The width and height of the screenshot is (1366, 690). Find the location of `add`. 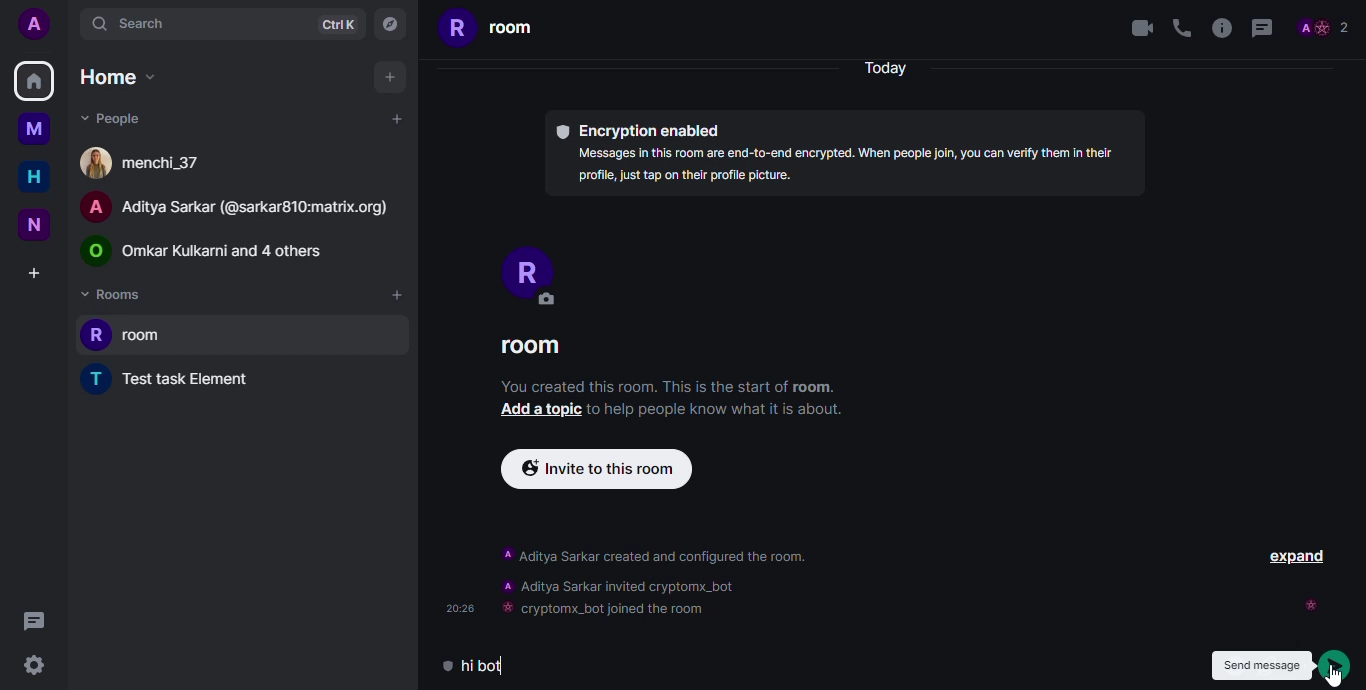

add is located at coordinates (398, 296).